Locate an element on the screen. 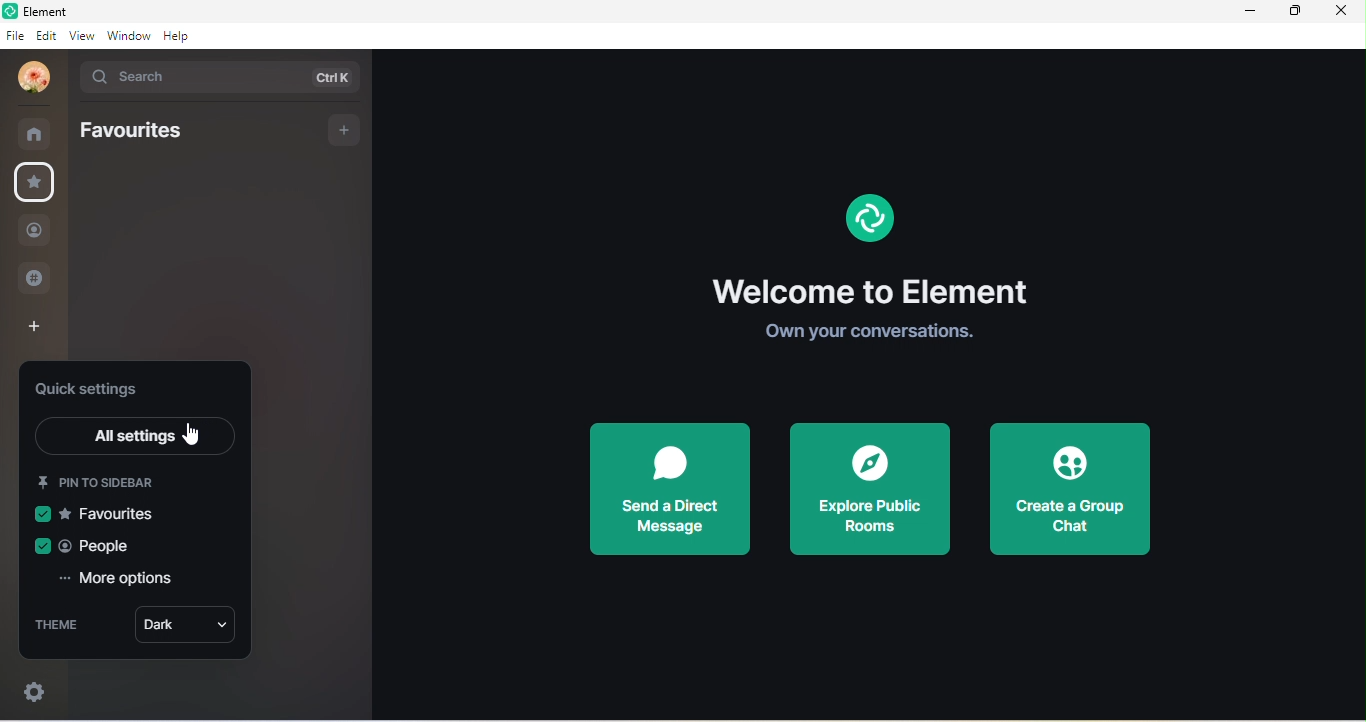 The height and width of the screenshot is (722, 1366). quick setting is located at coordinates (96, 390).